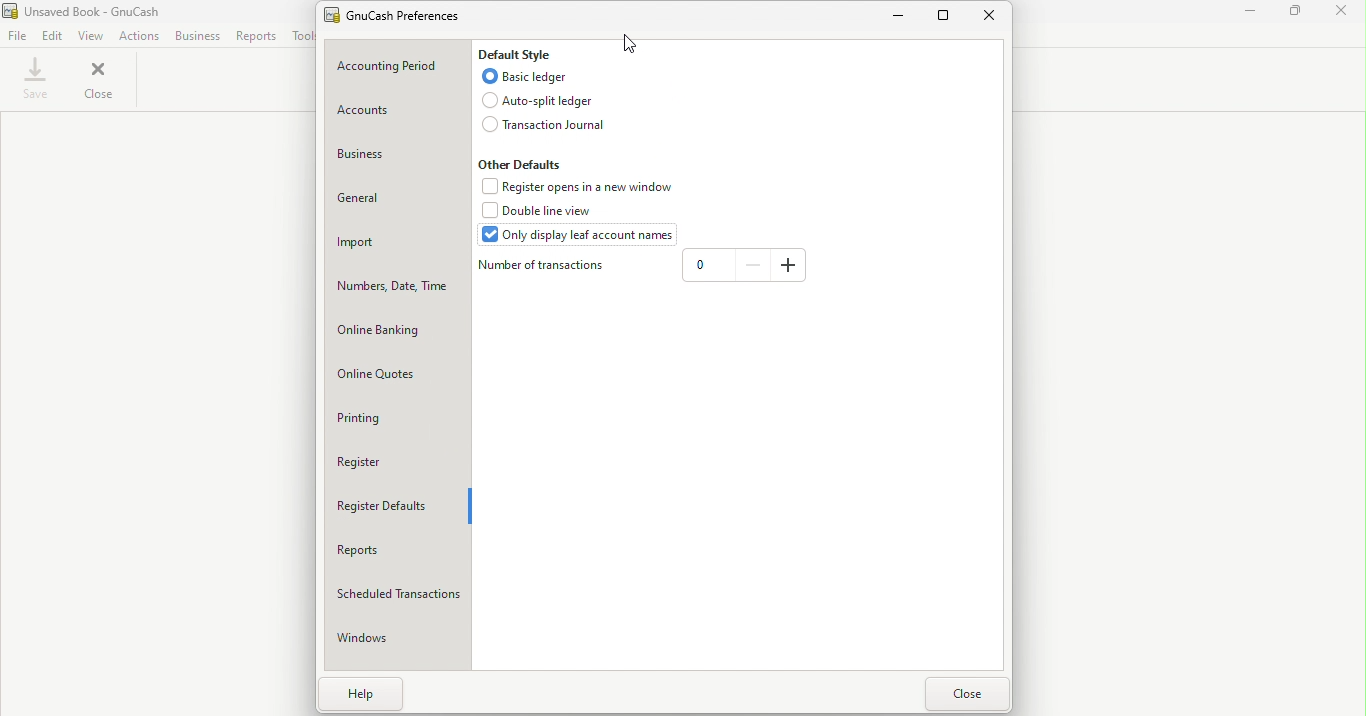  What do you see at coordinates (93, 36) in the screenshot?
I see `View` at bounding box center [93, 36].